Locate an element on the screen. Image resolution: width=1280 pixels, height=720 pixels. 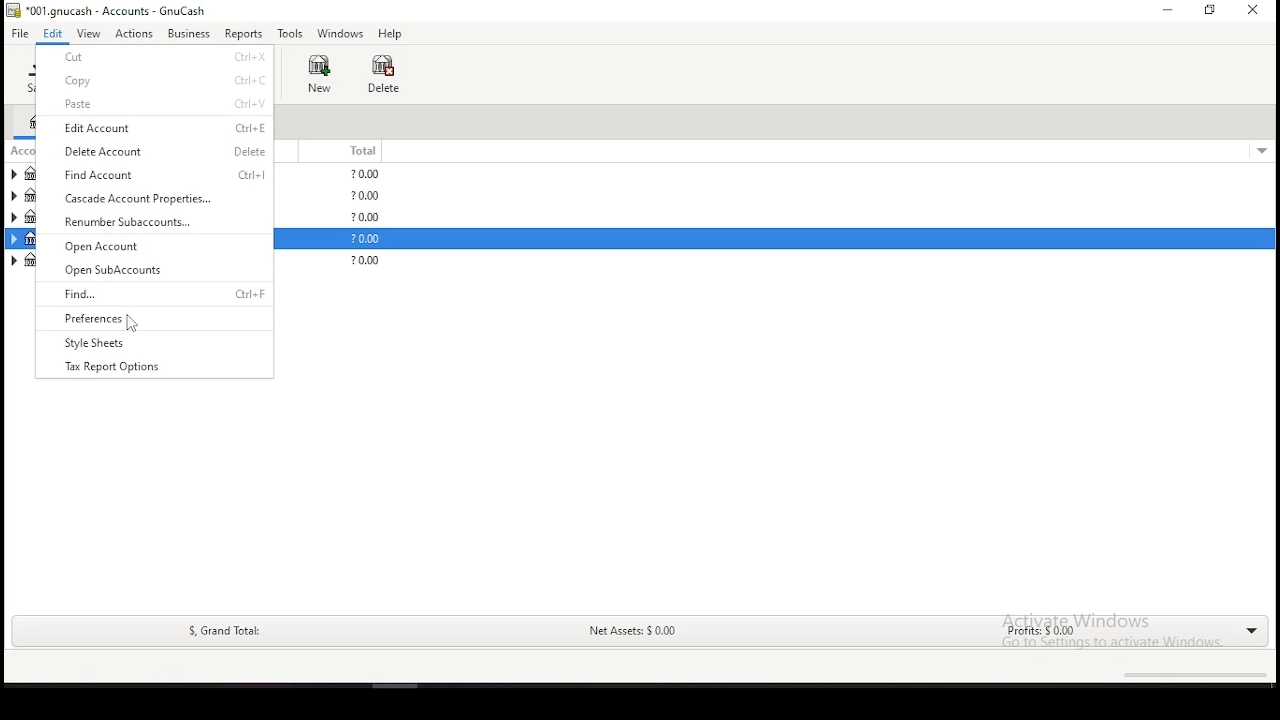
preferences is located at coordinates (156, 319).